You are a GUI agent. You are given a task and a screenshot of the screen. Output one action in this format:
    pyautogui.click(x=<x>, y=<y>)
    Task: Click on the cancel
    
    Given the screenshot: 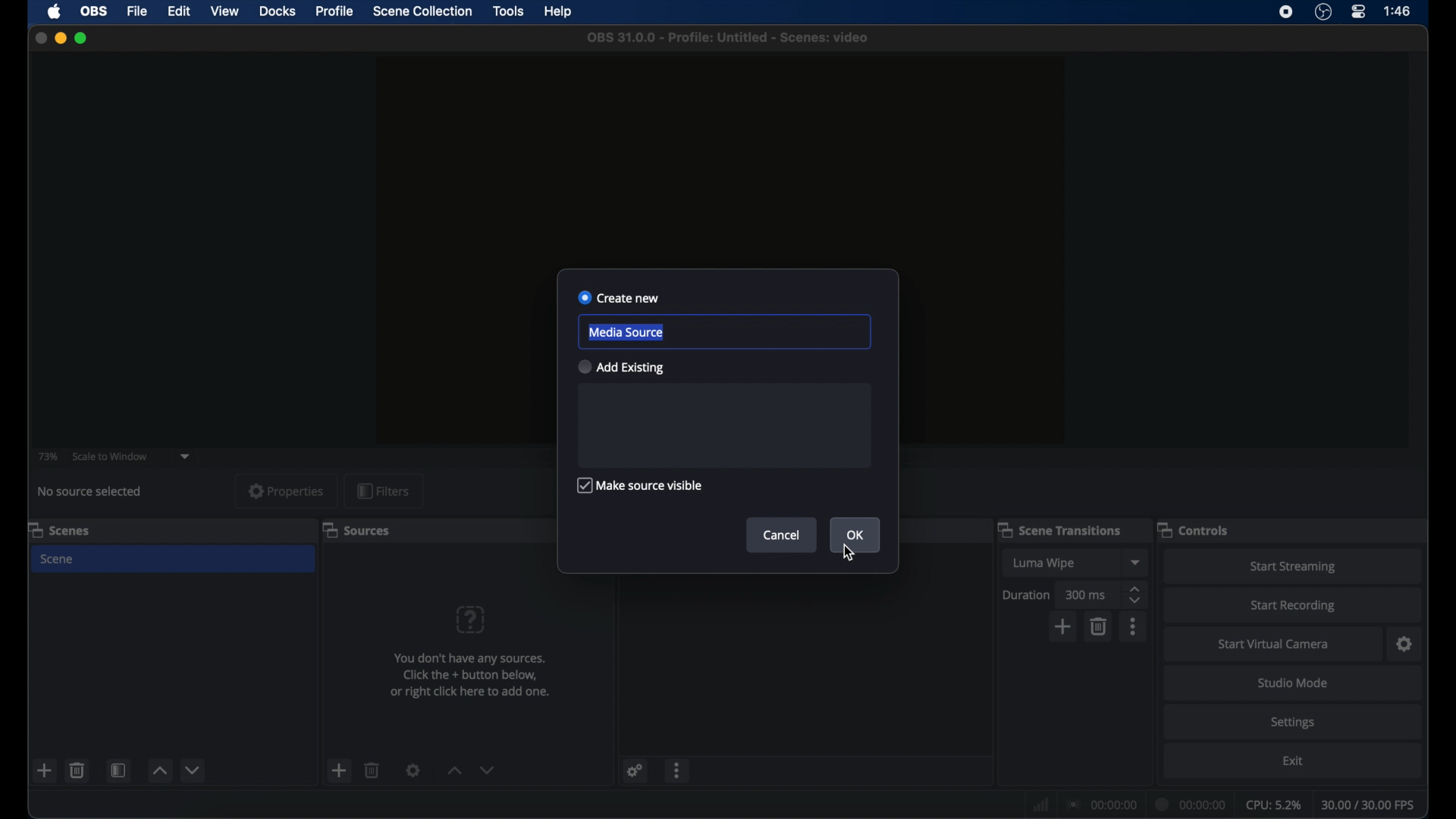 What is the action you would take?
    pyautogui.click(x=782, y=535)
    